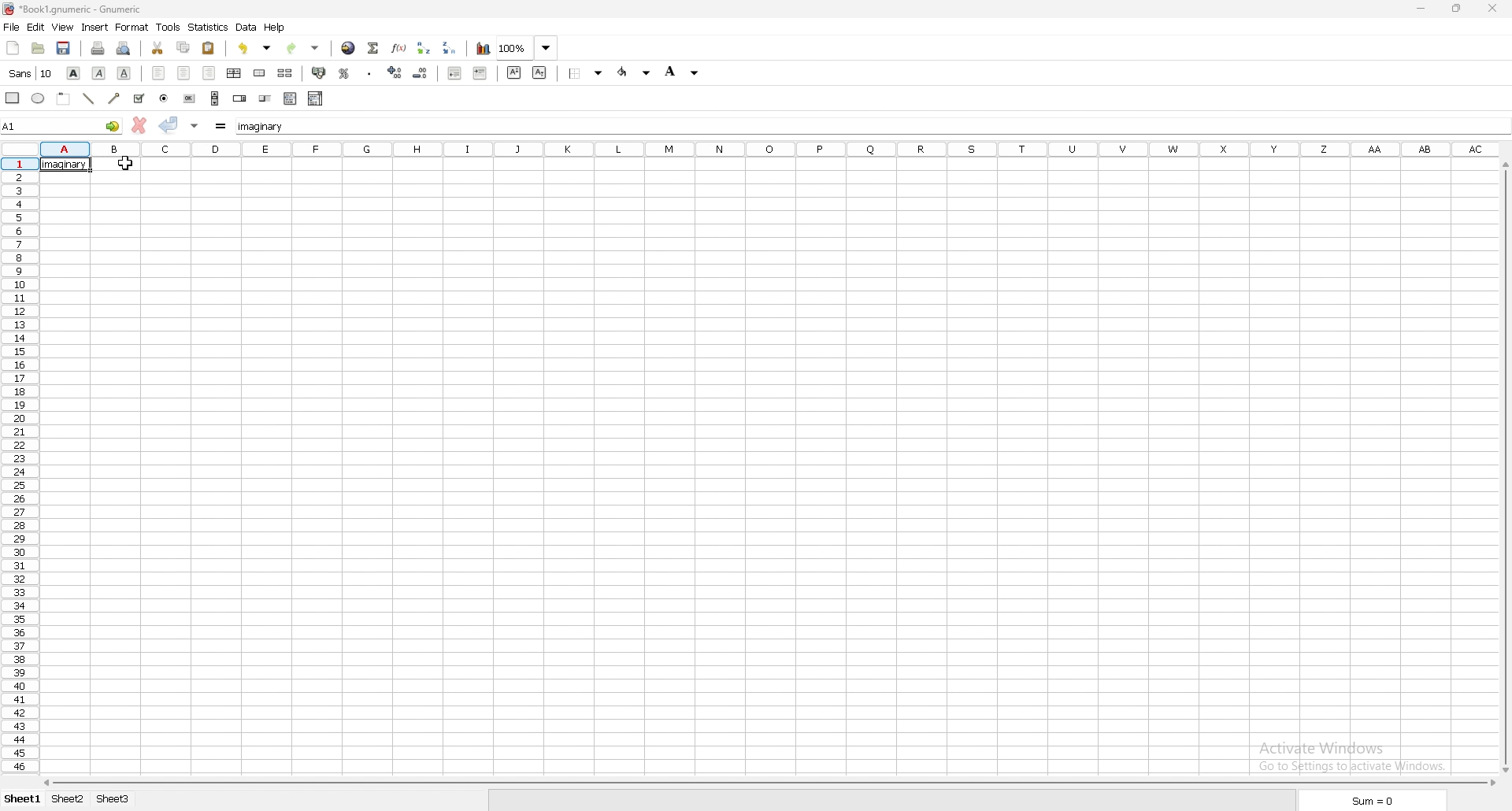  I want to click on list, so click(291, 98).